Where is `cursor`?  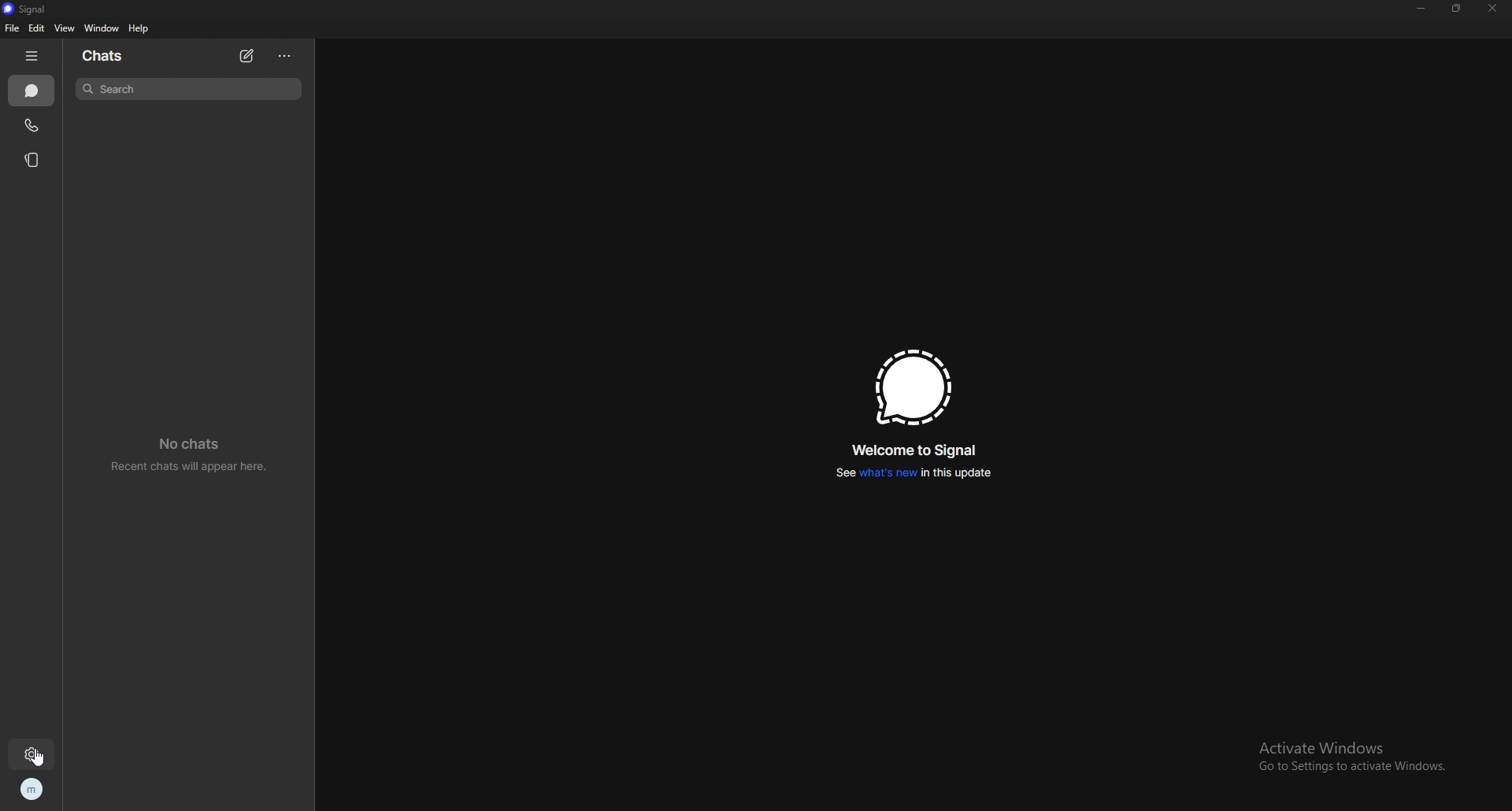
cursor is located at coordinates (38, 759).